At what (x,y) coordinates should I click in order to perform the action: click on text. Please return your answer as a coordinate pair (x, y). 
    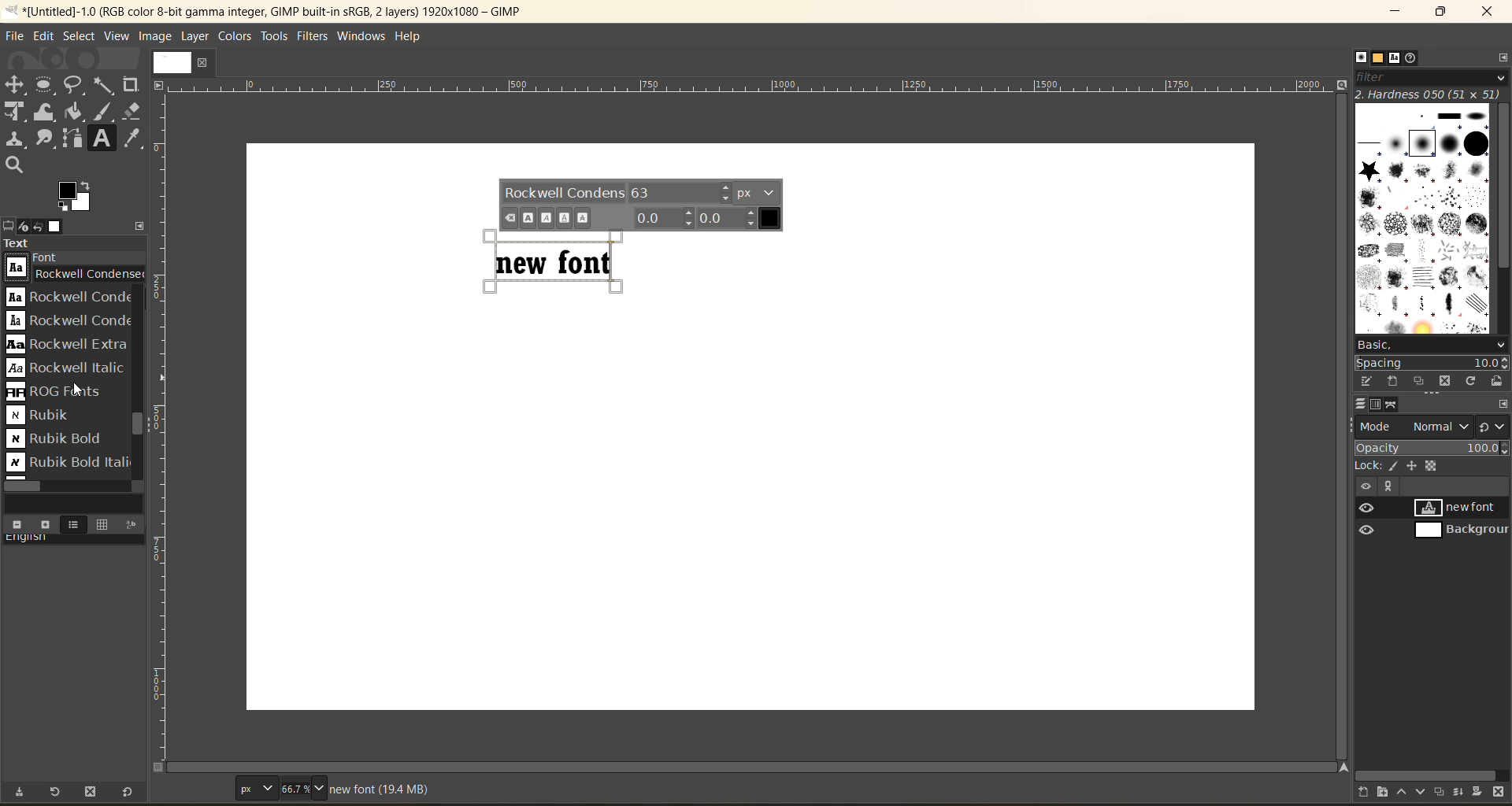
    Looking at the image, I should click on (75, 245).